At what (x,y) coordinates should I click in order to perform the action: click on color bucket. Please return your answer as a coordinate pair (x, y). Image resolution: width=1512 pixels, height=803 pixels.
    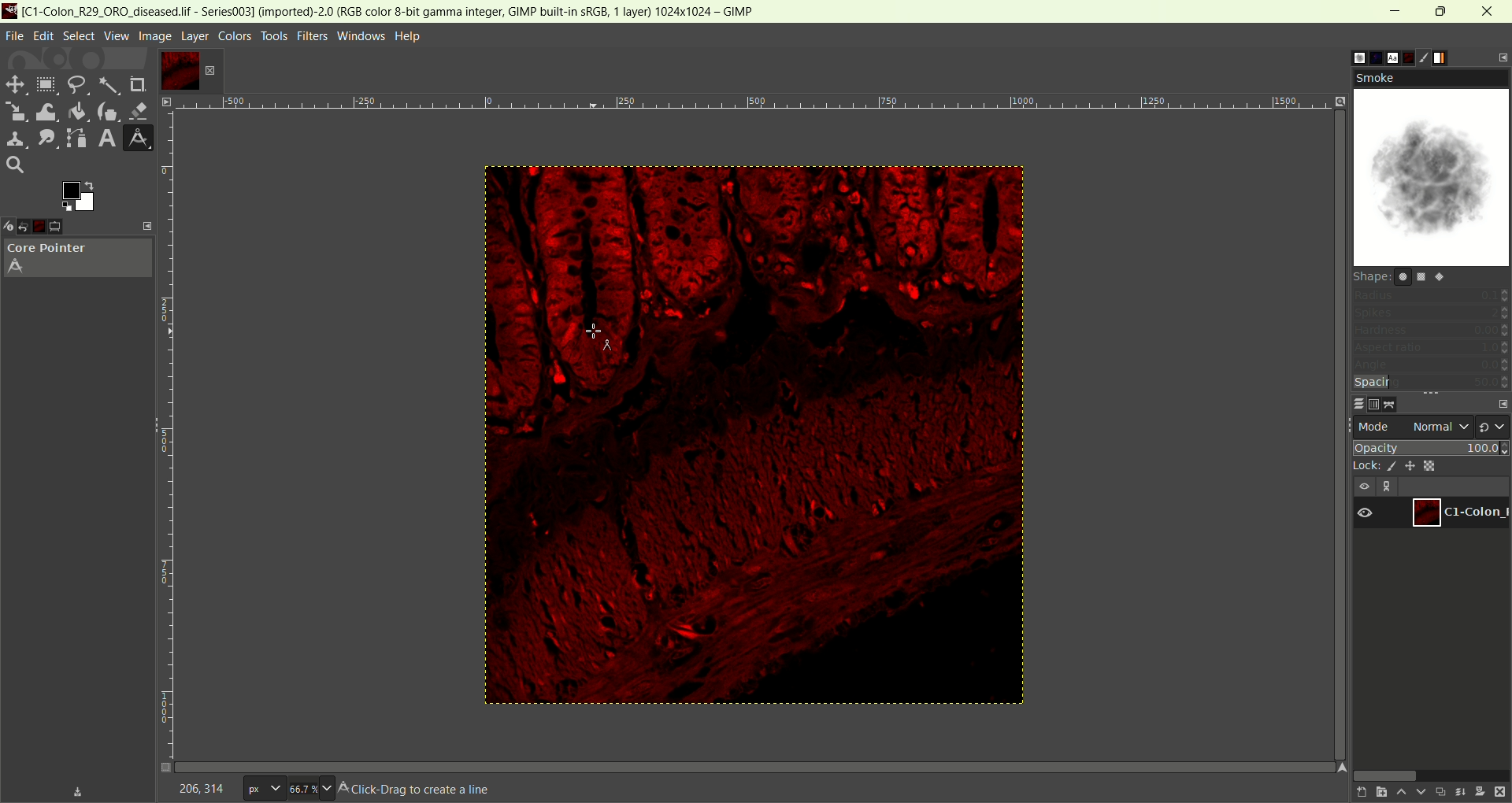
    Looking at the image, I should click on (76, 111).